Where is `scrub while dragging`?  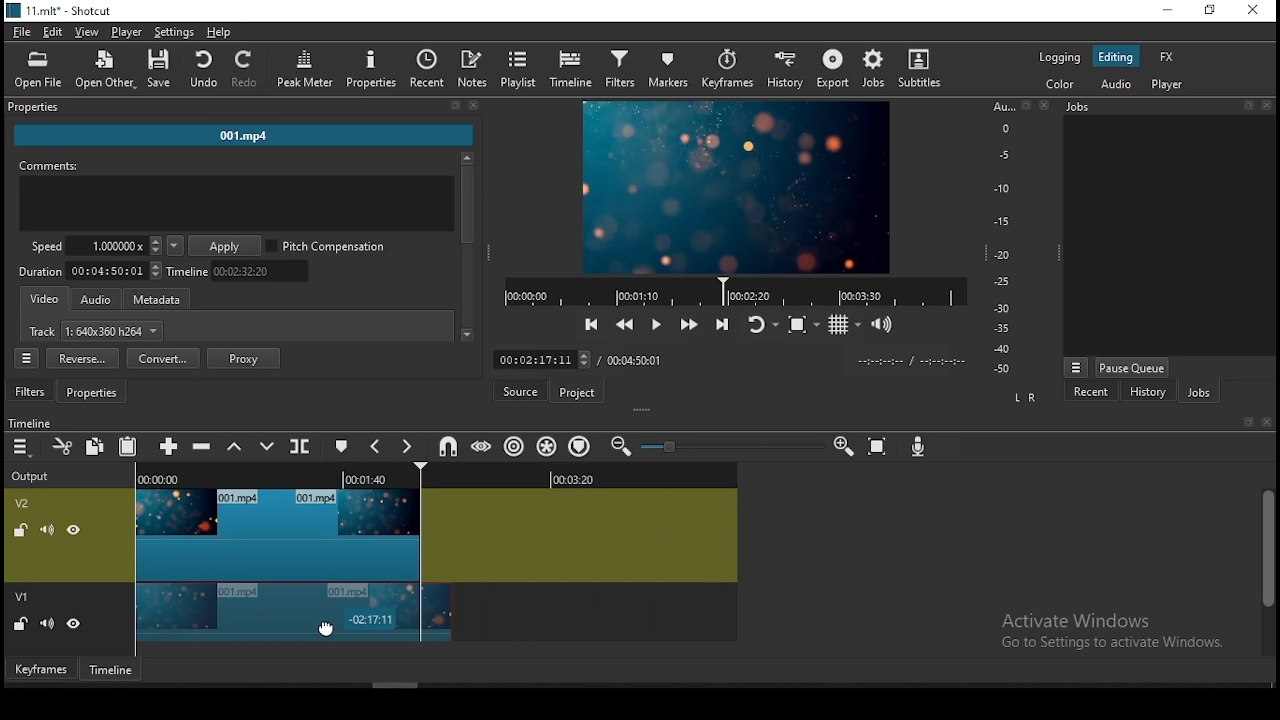 scrub while dragging is located at coordinates (484, 445).